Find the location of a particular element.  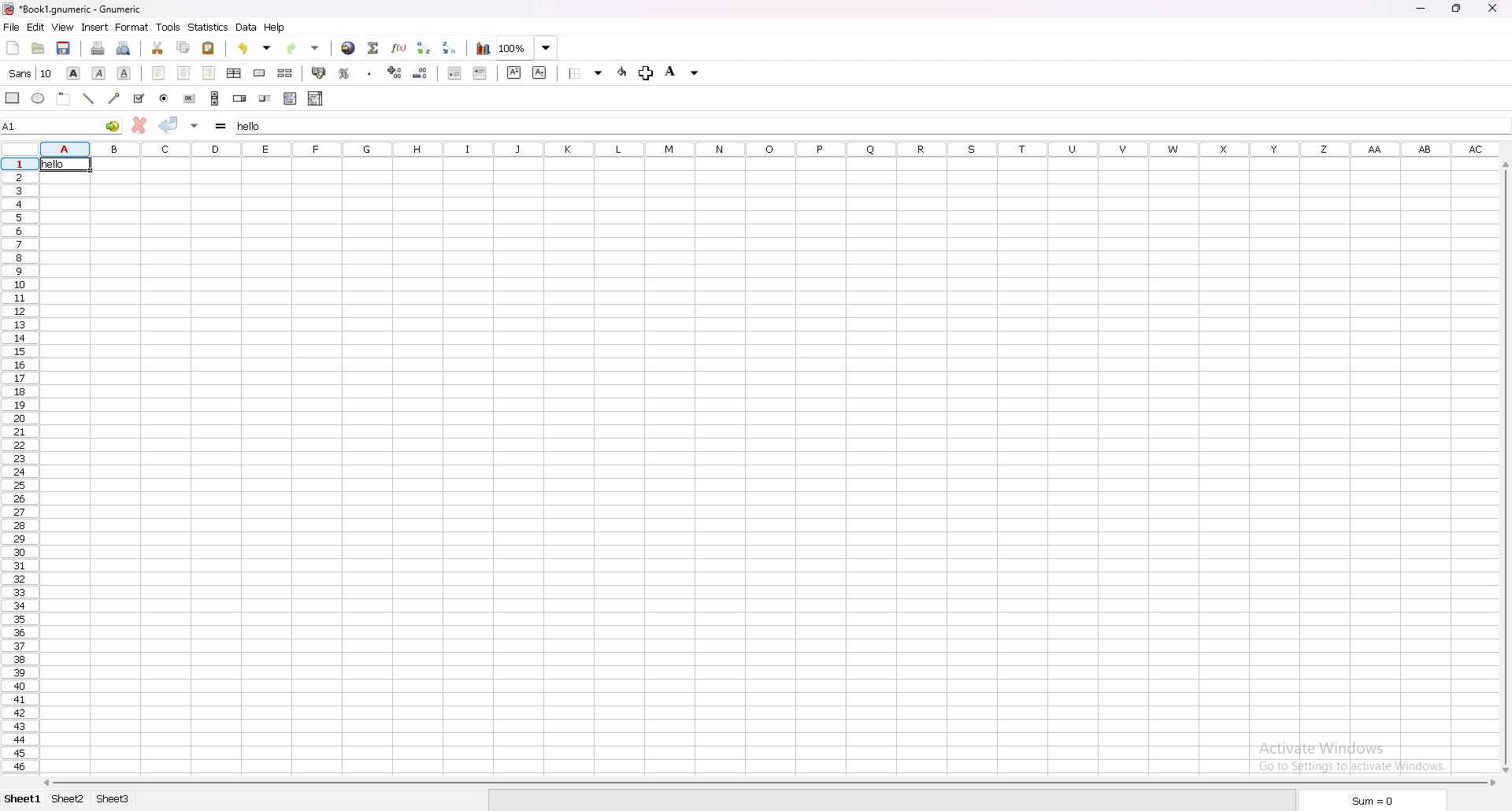

scroll bar is located at coordinates (769, 783).